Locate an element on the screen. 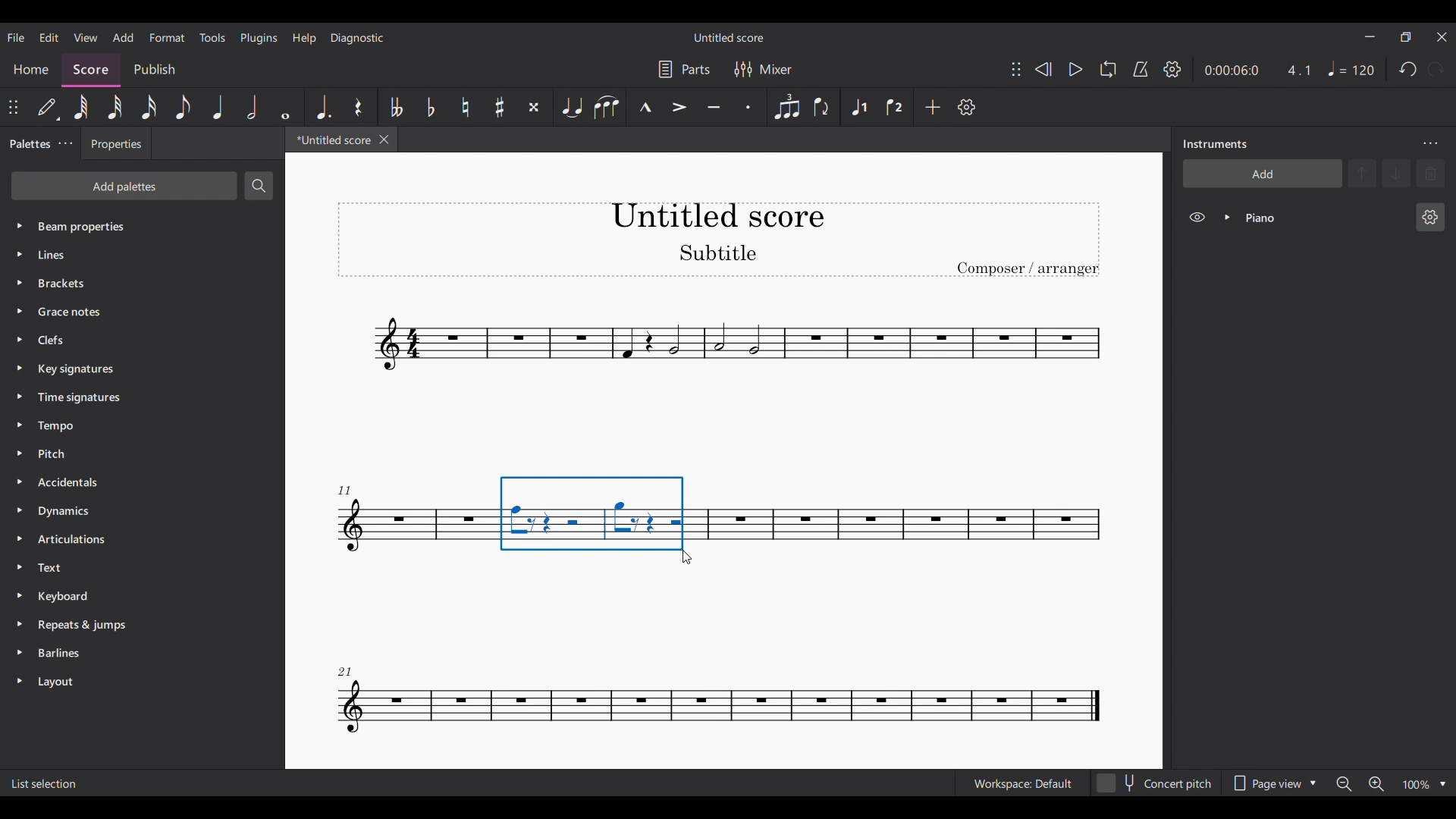  Layout is located at coordinates (130, 682).